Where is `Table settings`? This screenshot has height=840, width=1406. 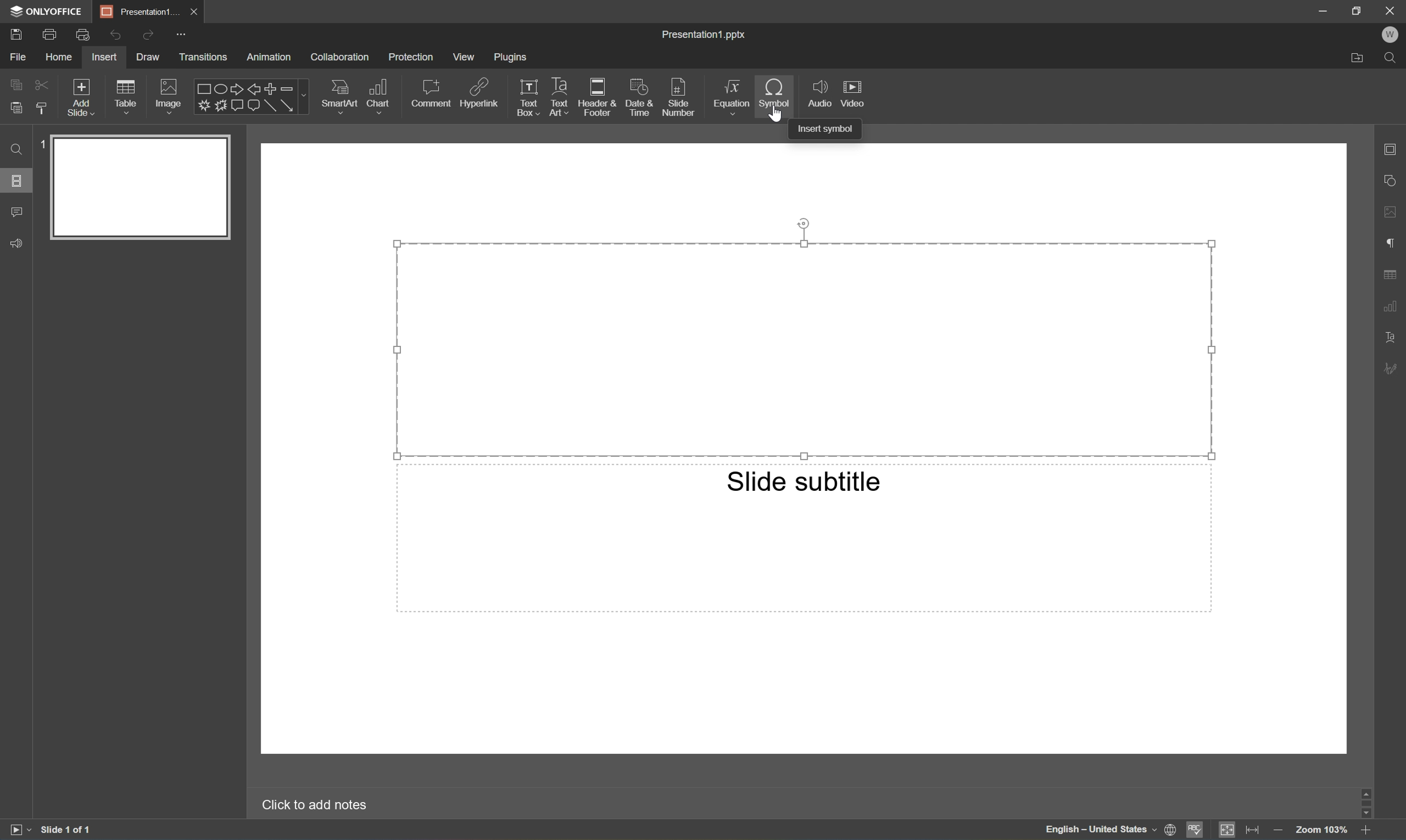 Table settings is located at coordinates (1395, 274).